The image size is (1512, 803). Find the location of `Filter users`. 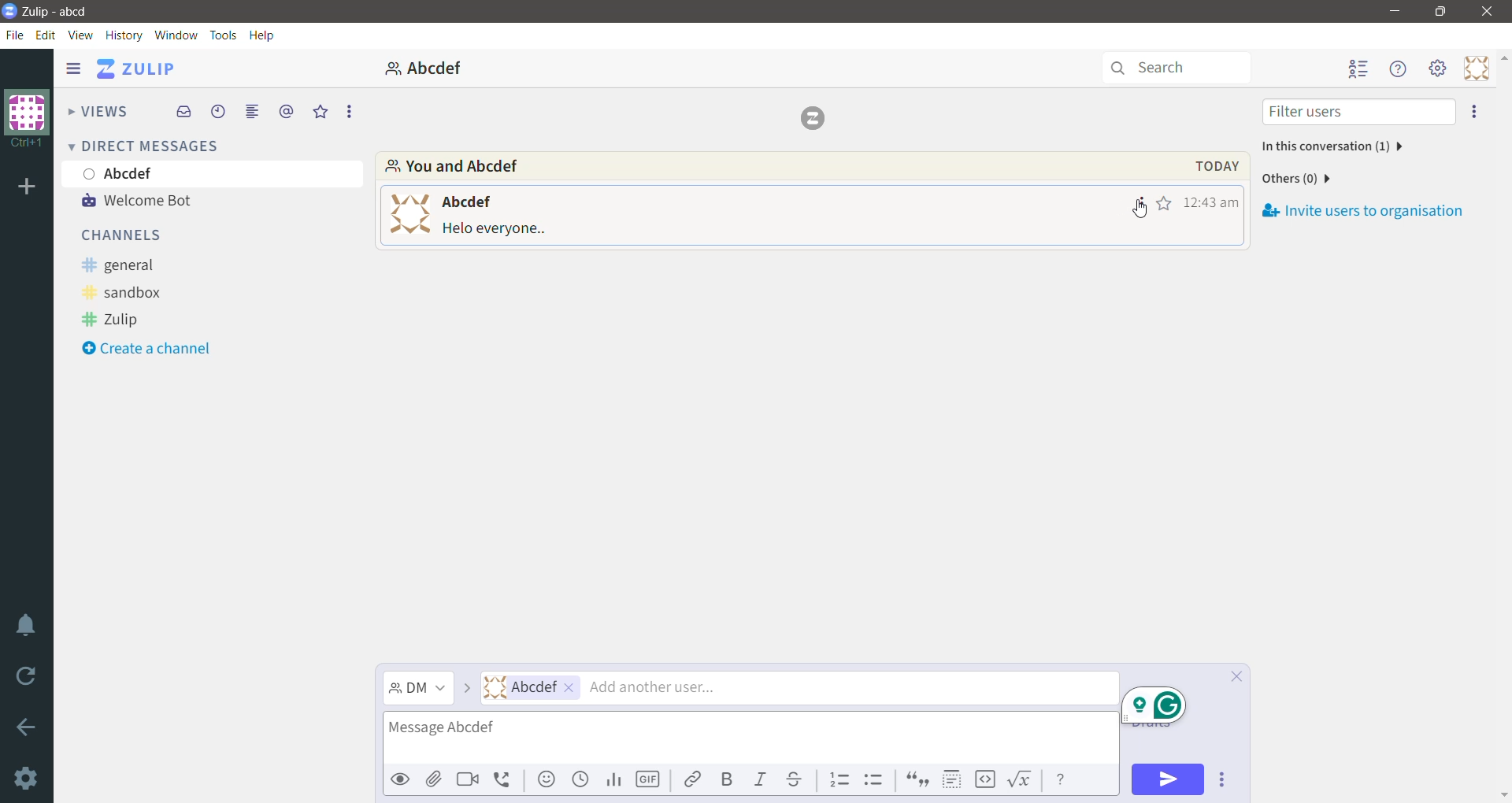

Filter users is located at coordinates (1357, 112).